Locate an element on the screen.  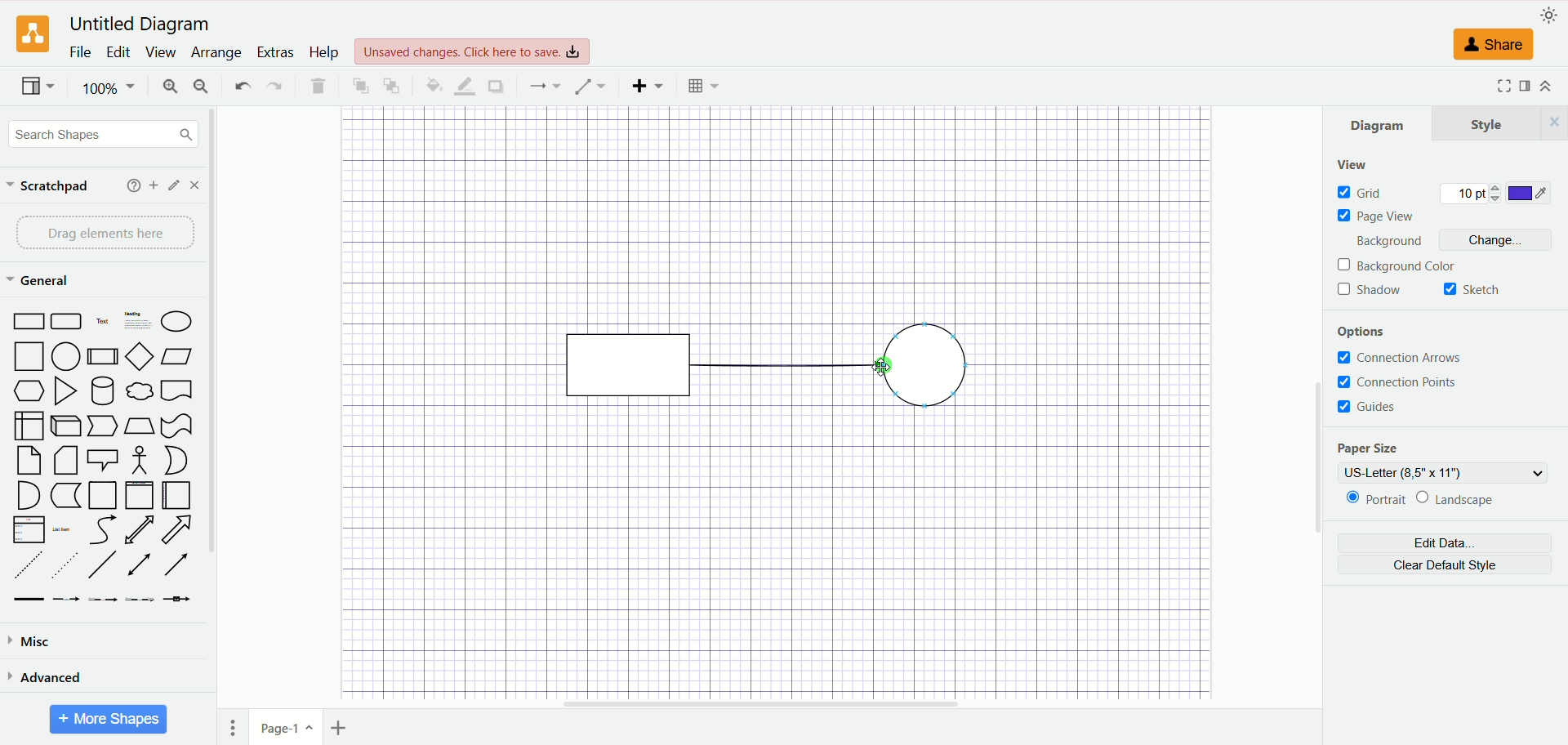
clear default style is located at coordinates (1445, 565).